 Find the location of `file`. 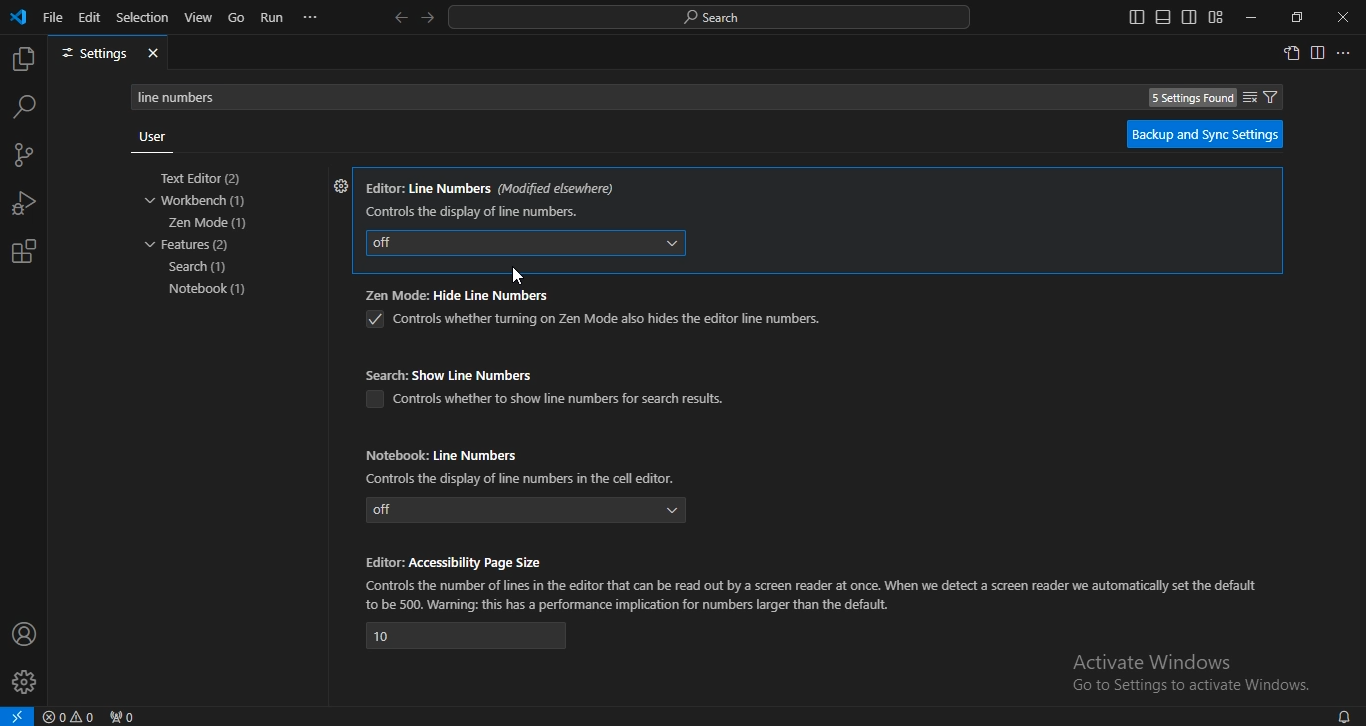

file is located at coordinates (53, 16).